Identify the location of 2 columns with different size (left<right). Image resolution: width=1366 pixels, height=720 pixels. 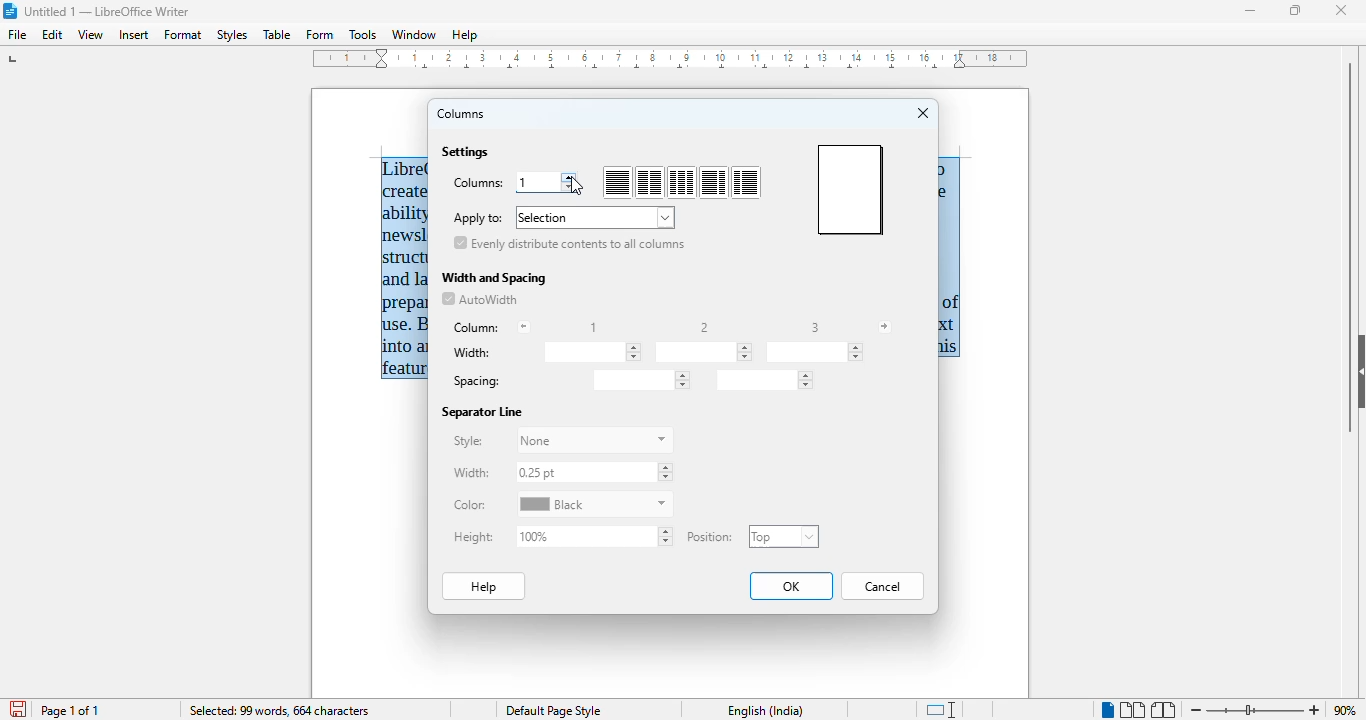
(746, 183).